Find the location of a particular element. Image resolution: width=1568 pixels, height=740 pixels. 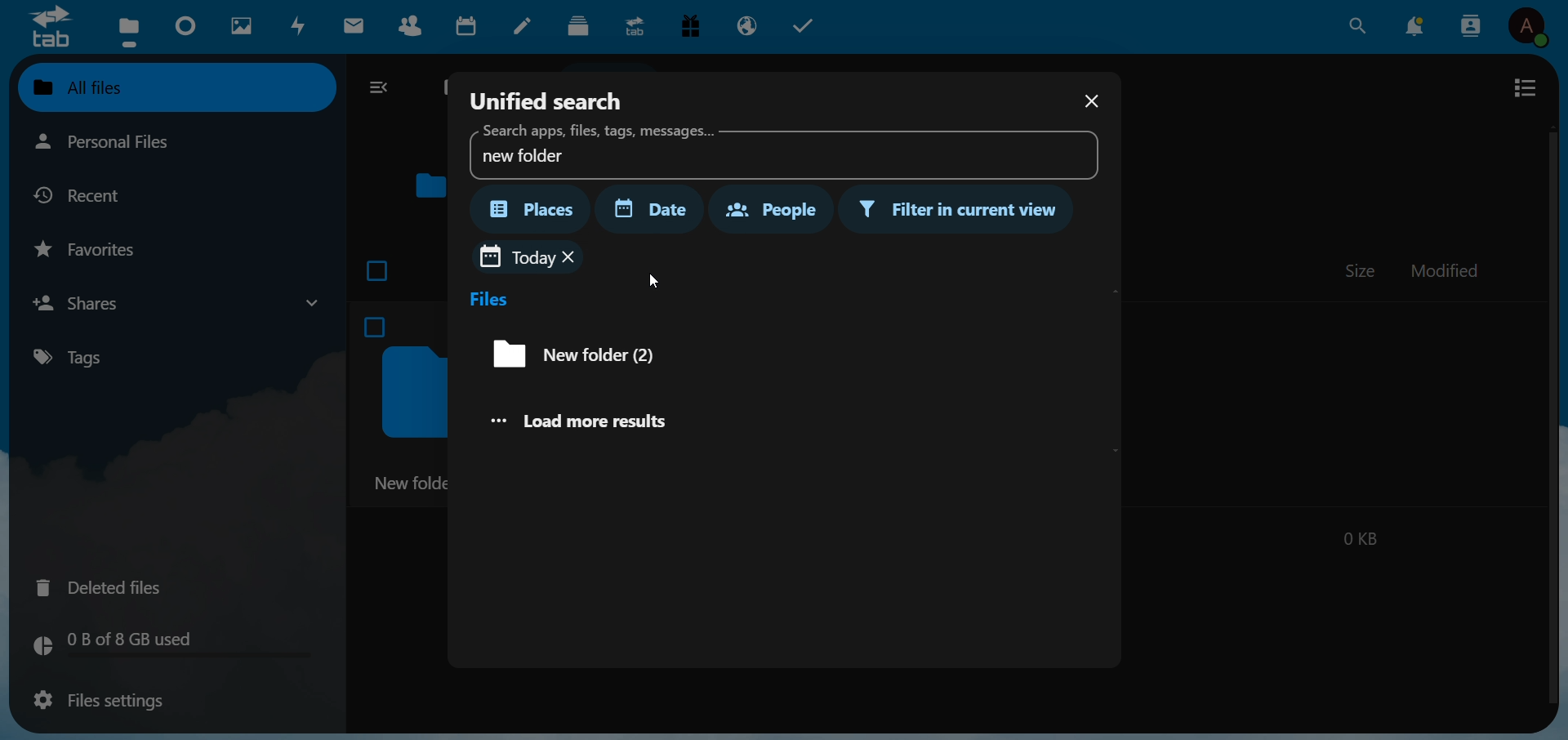

contacts is located at coordinates (415, 29).